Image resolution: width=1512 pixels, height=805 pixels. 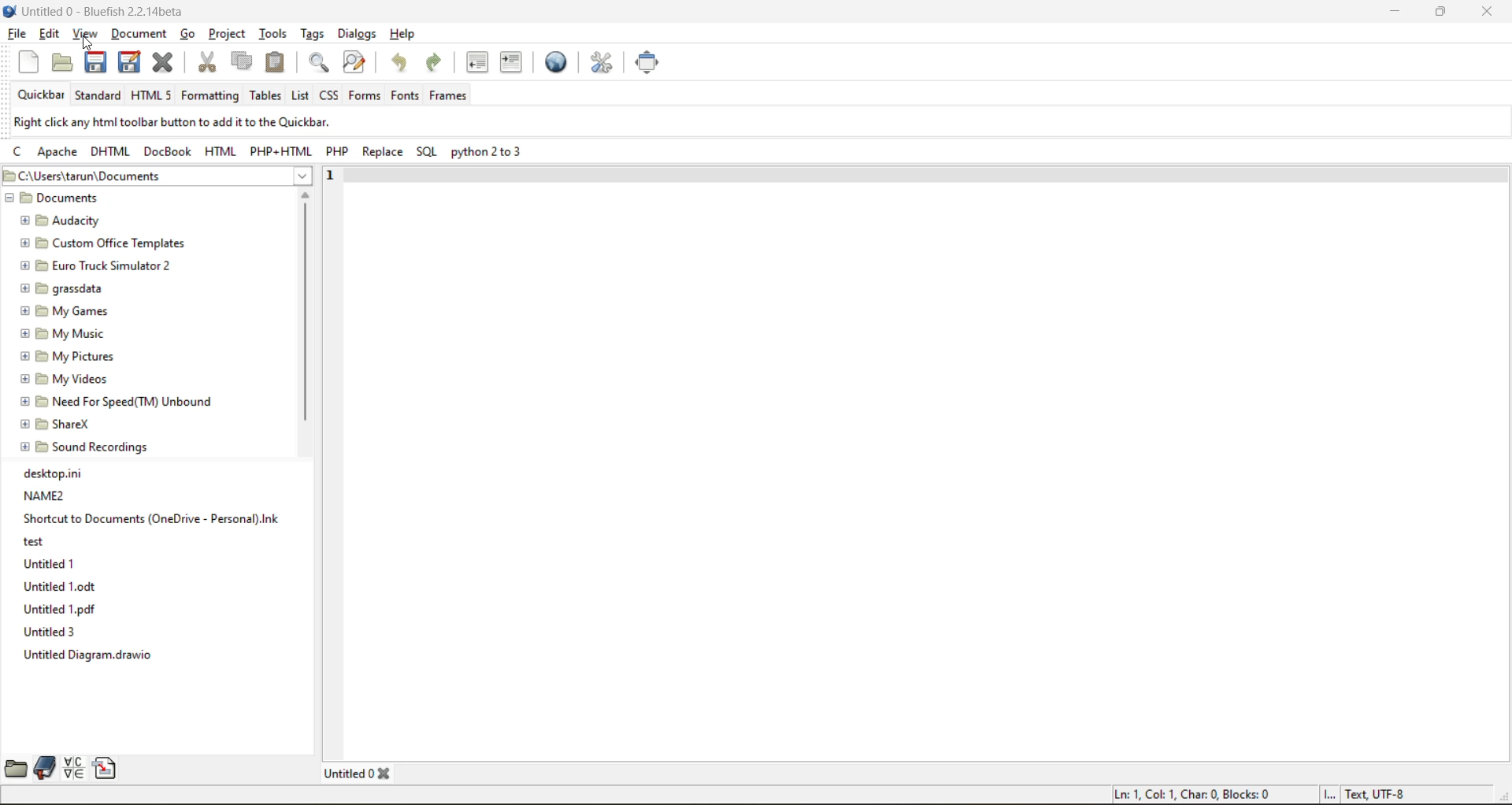 What do you see at coordinates (277, 61) in the screenshot?
I see `paste` at bounding box center [277, 61].